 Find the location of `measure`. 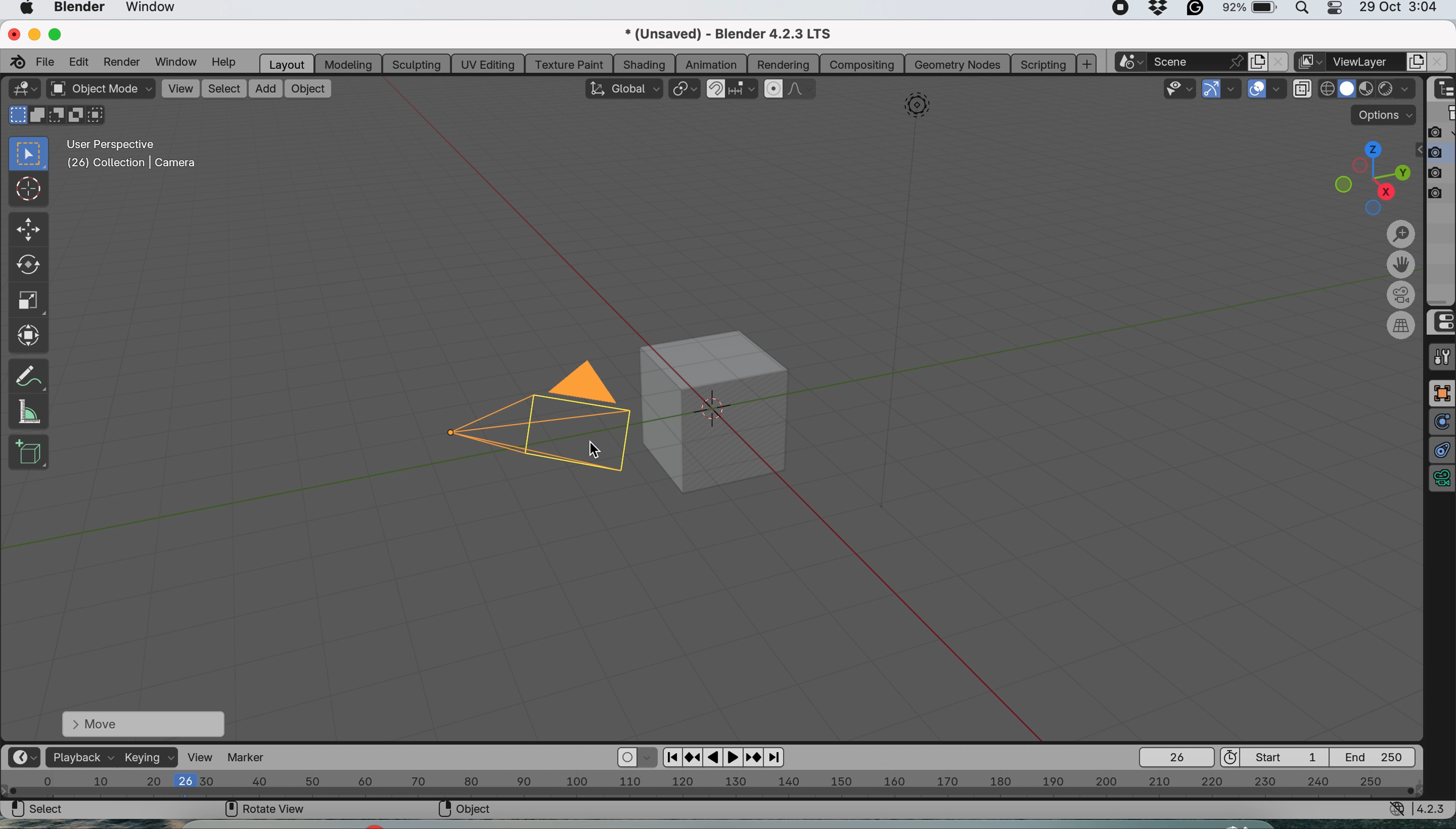

measure is located at coordinates (28, 411).